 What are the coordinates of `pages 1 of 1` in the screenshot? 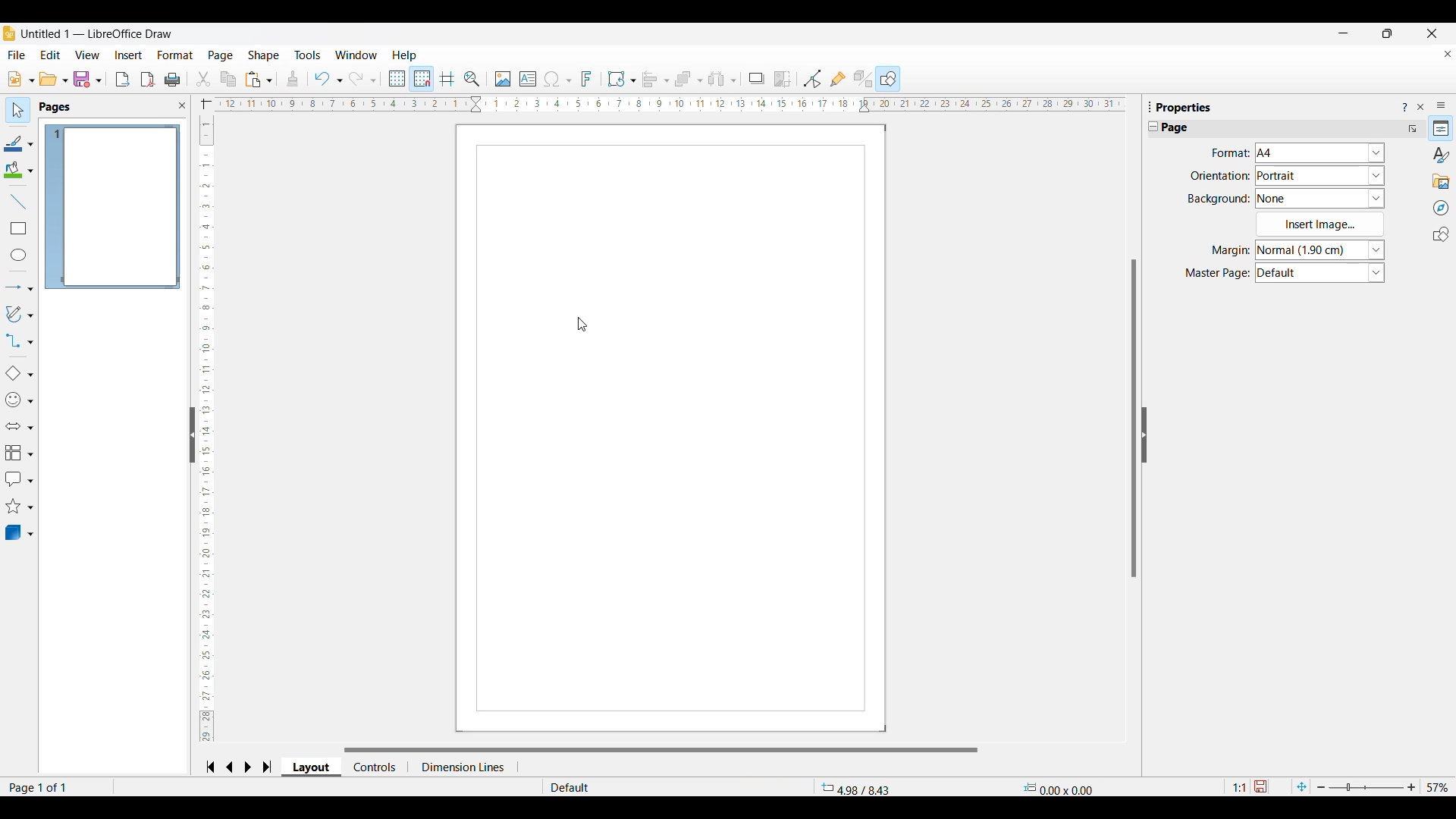 It's located at (56, 787).